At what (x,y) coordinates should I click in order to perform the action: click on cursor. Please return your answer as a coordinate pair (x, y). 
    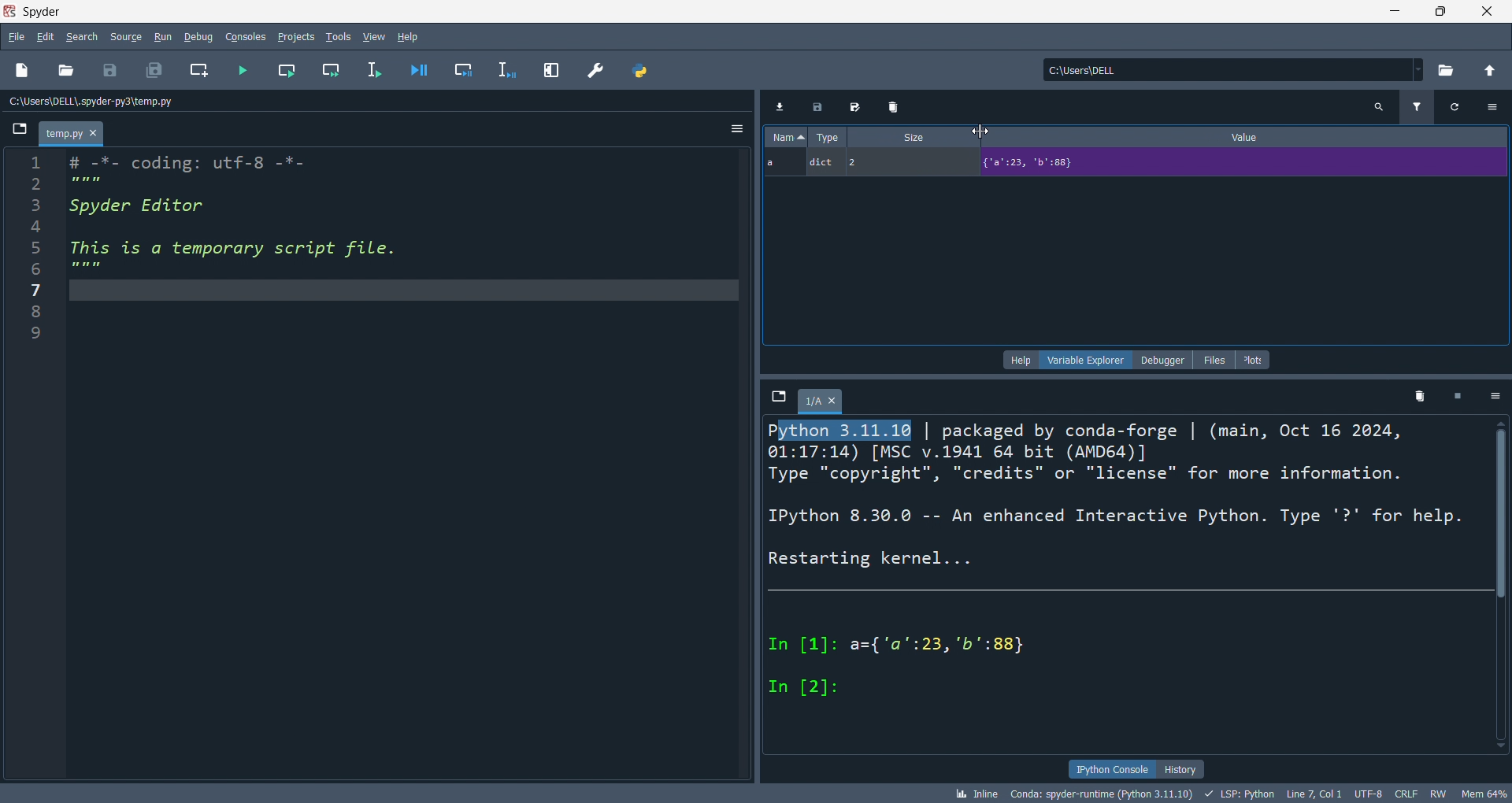
    Looking at the image, I should click on (981, 130).